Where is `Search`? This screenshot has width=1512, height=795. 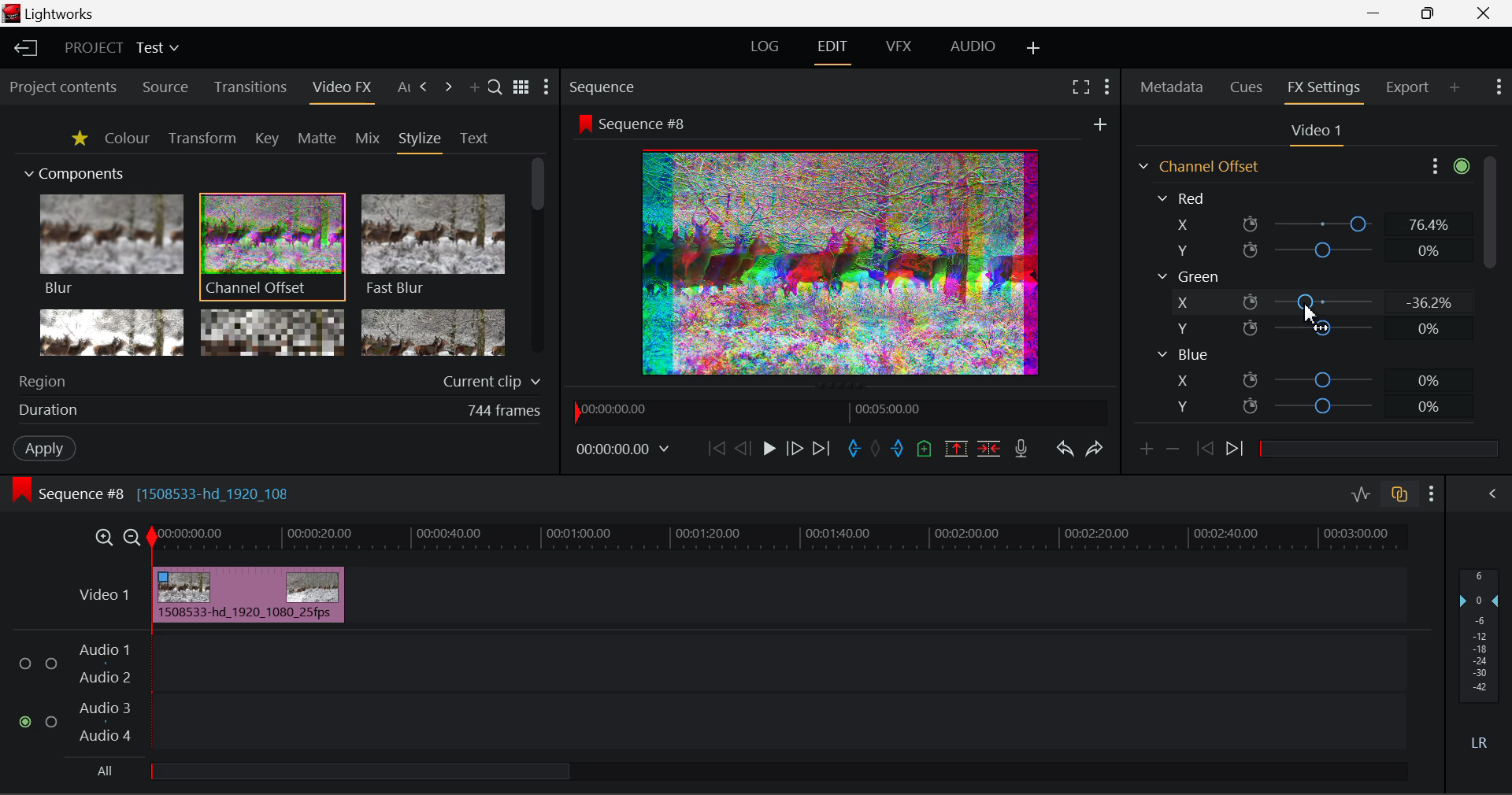 Search is located at coordinates (495, 87).